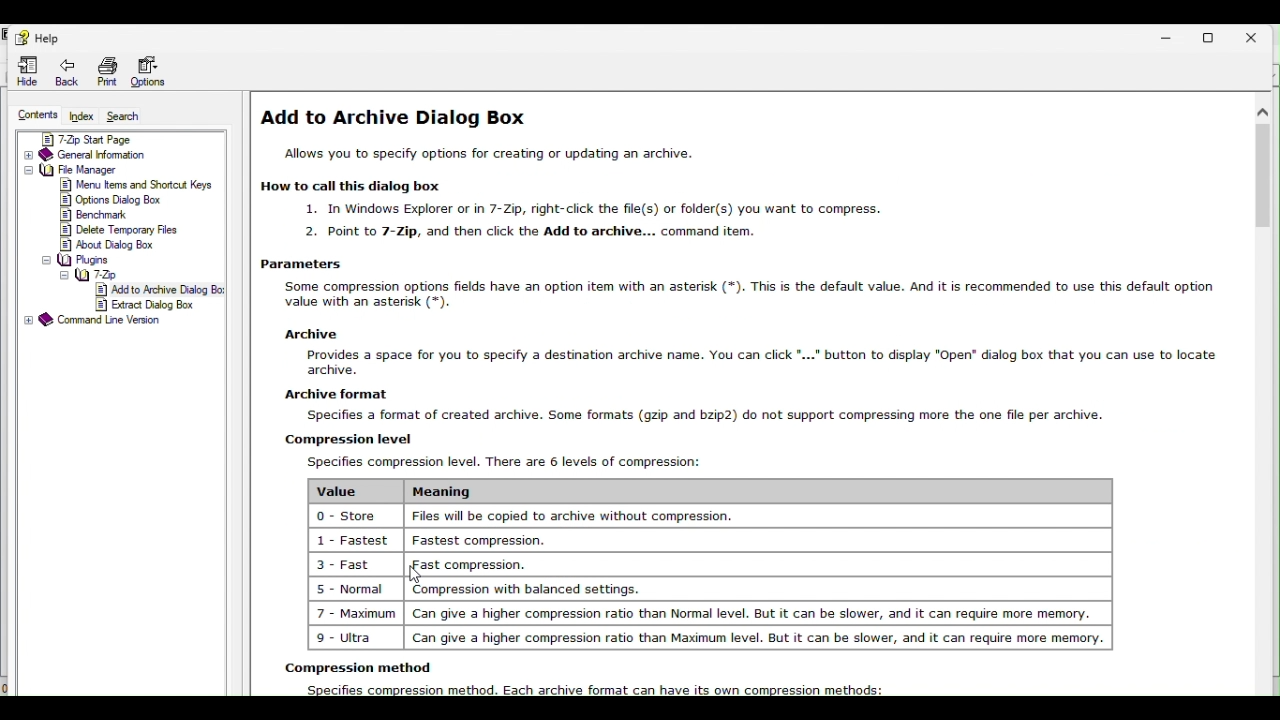 Image resolution: width=1280 pixels, height=720 pixels. Describe the element at coordinates (104, 70) in the screenshot. I see `Print` at that location.